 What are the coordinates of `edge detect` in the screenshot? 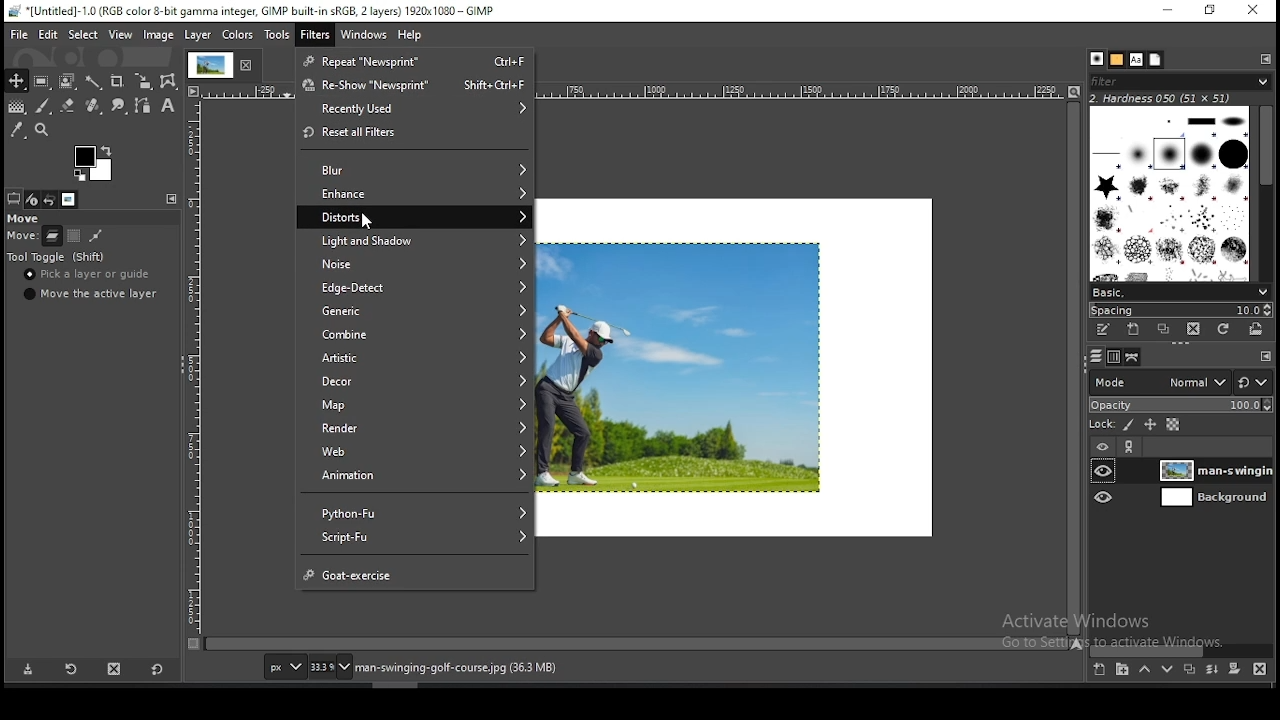 It's located at (415, 287).